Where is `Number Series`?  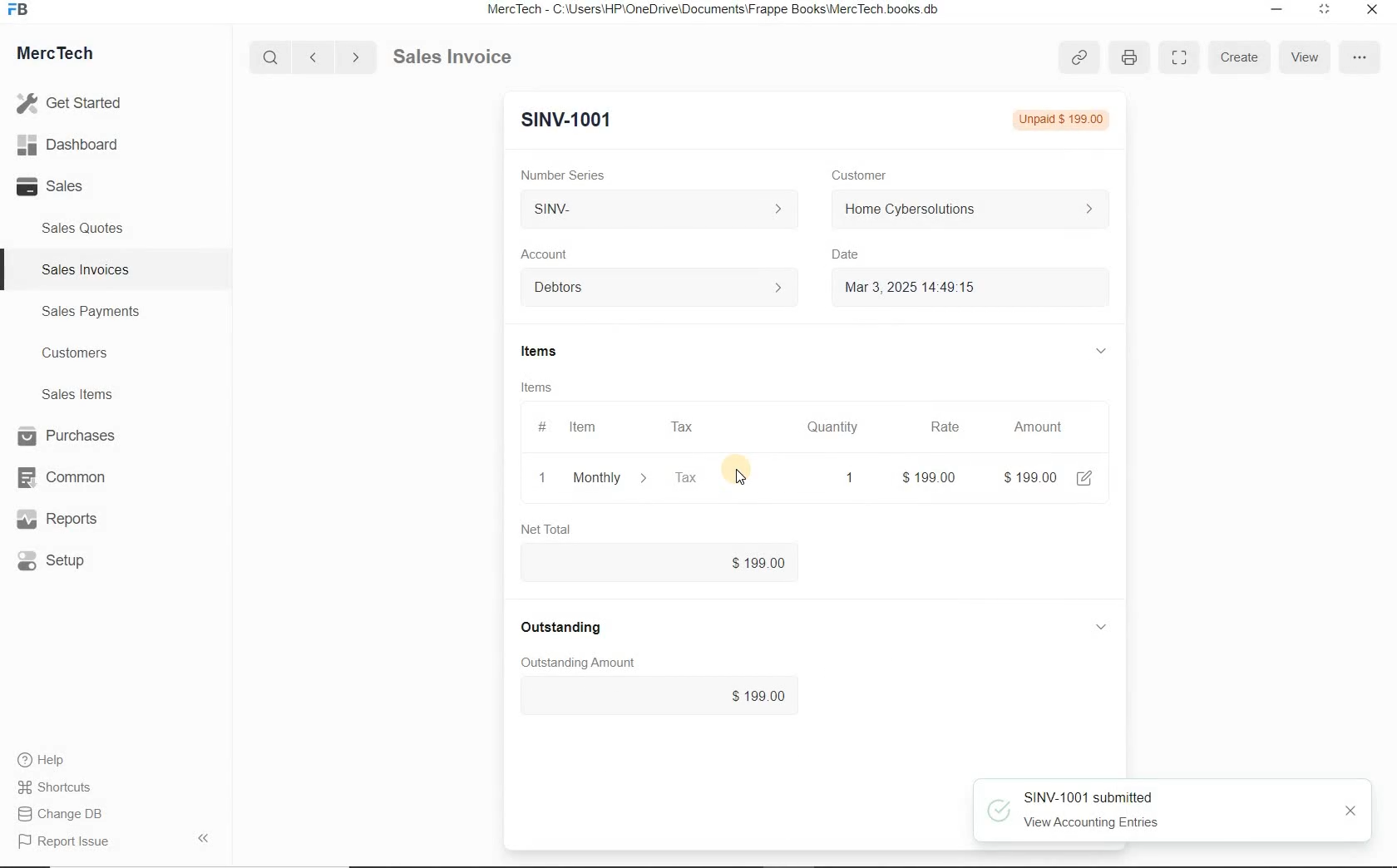 Number Series is located at coordinates (568, 175).